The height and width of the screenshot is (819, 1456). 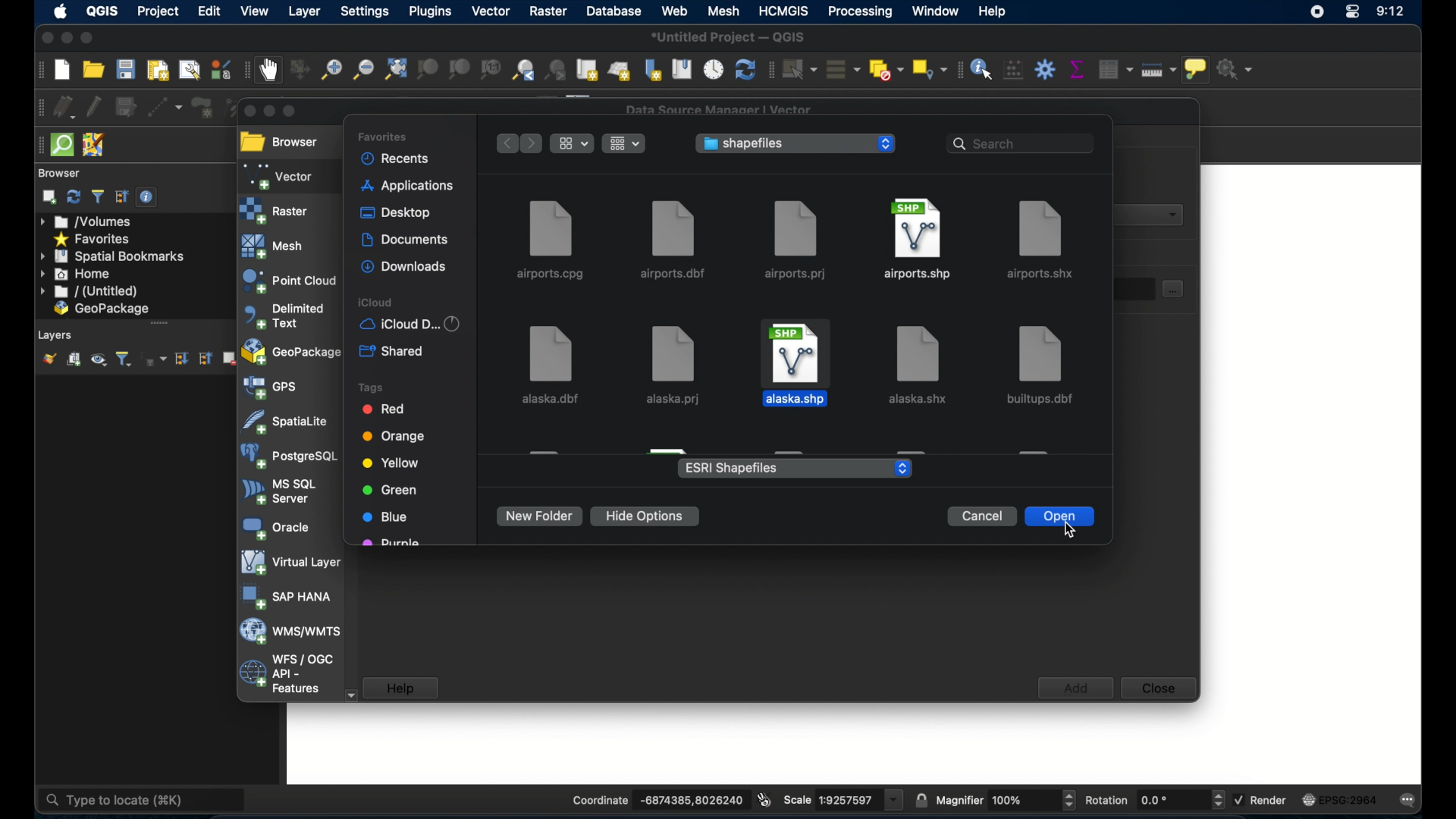 What do you see at coordinates (89, 292) in the screenshot?
I see `untitled` at bounding box center [89, 292].